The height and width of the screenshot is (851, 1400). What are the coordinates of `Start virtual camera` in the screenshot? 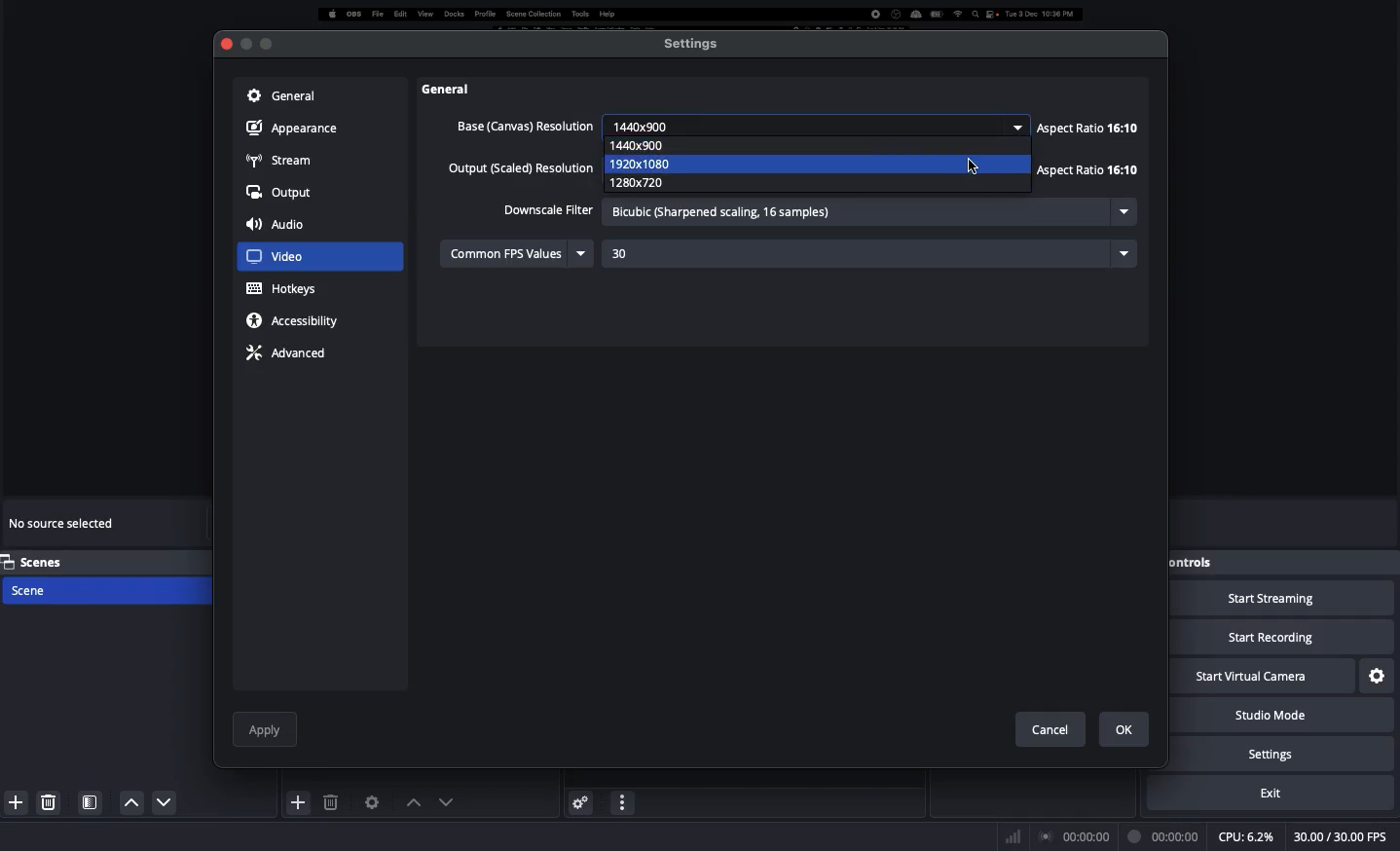 It's located at (1264, 678).